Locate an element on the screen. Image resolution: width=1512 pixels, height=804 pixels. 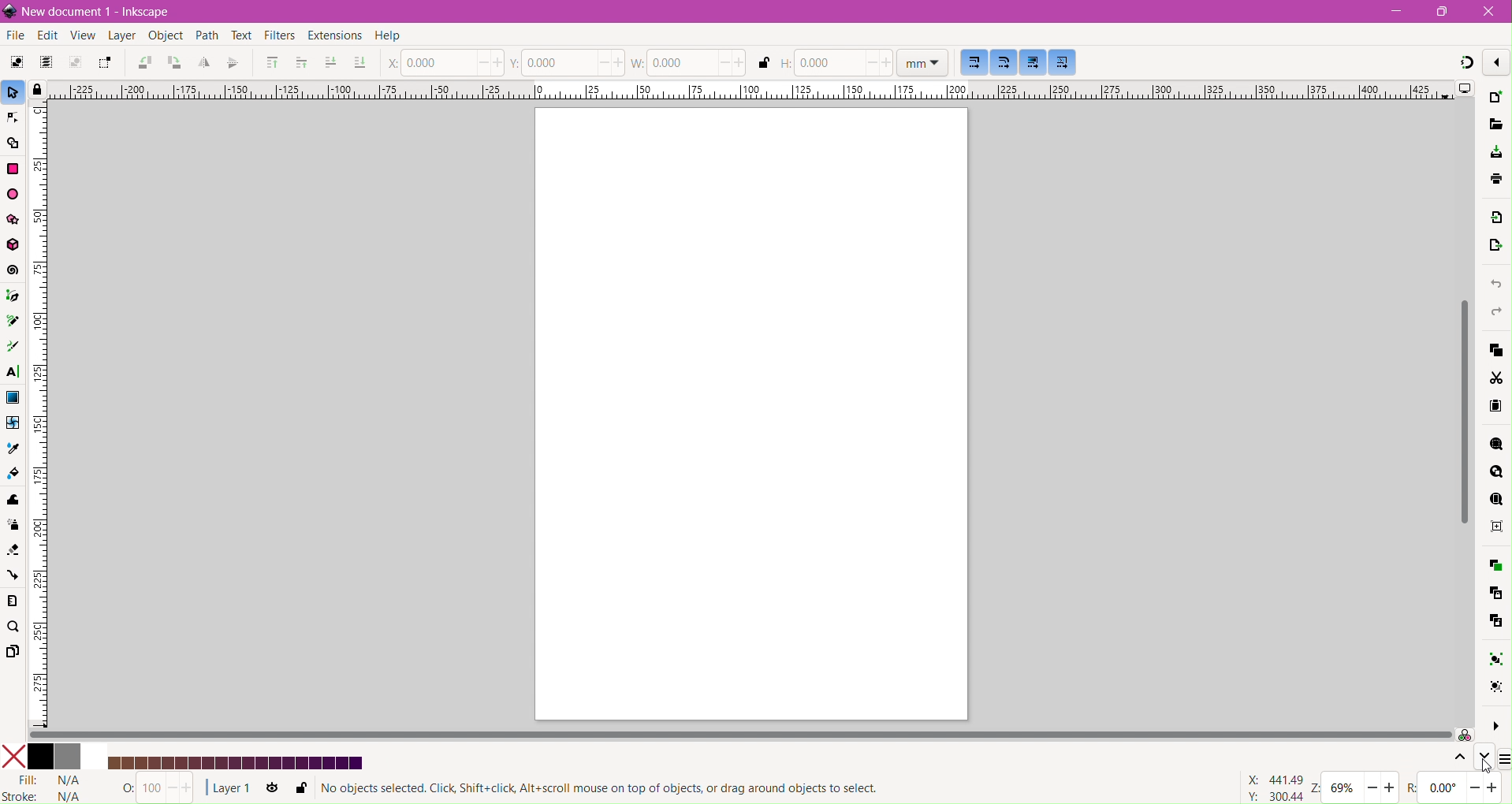
Document Title - Application Name is located at coordinates (101, 12).